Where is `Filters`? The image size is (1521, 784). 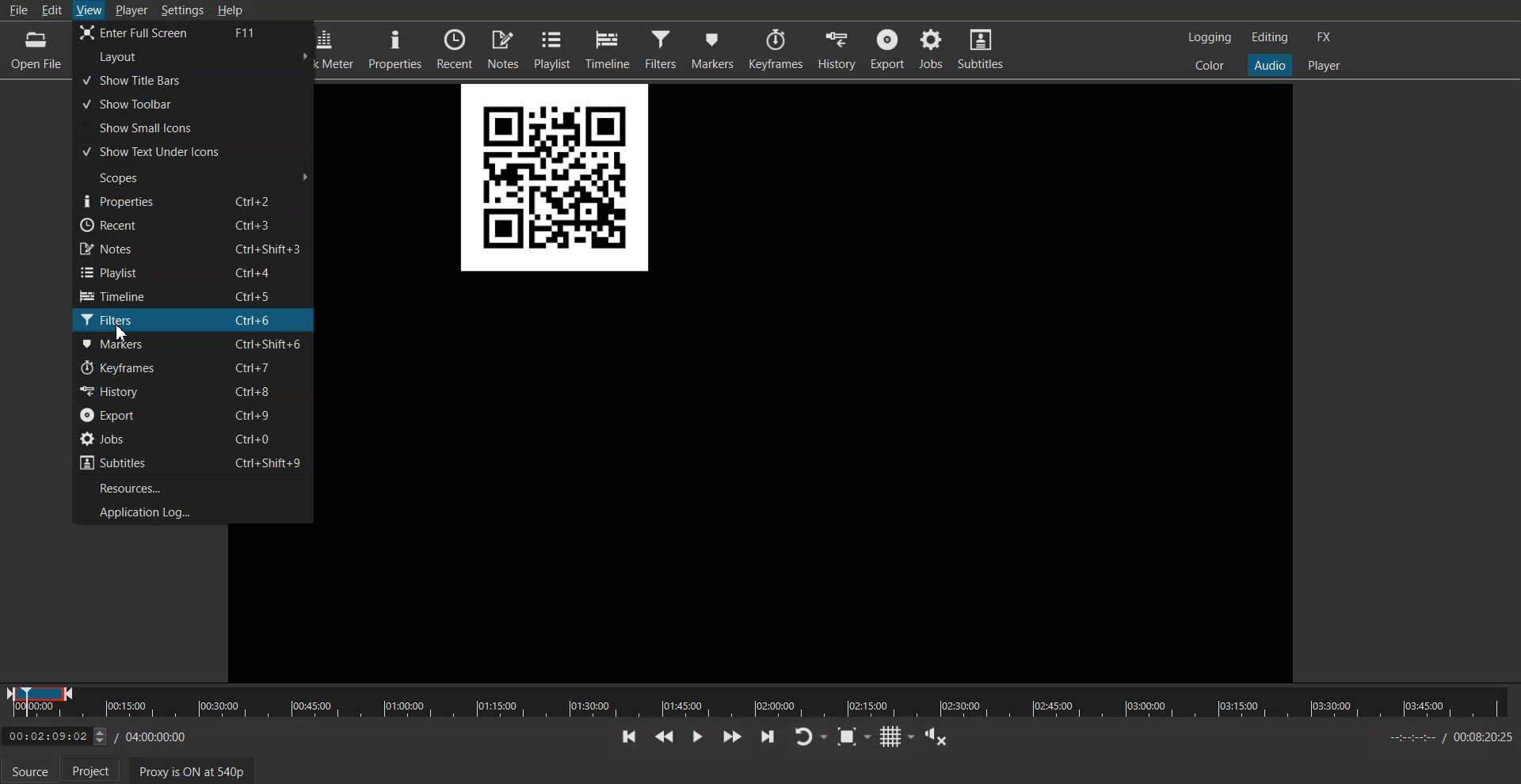
Filters is located at coordinates (661, 48).